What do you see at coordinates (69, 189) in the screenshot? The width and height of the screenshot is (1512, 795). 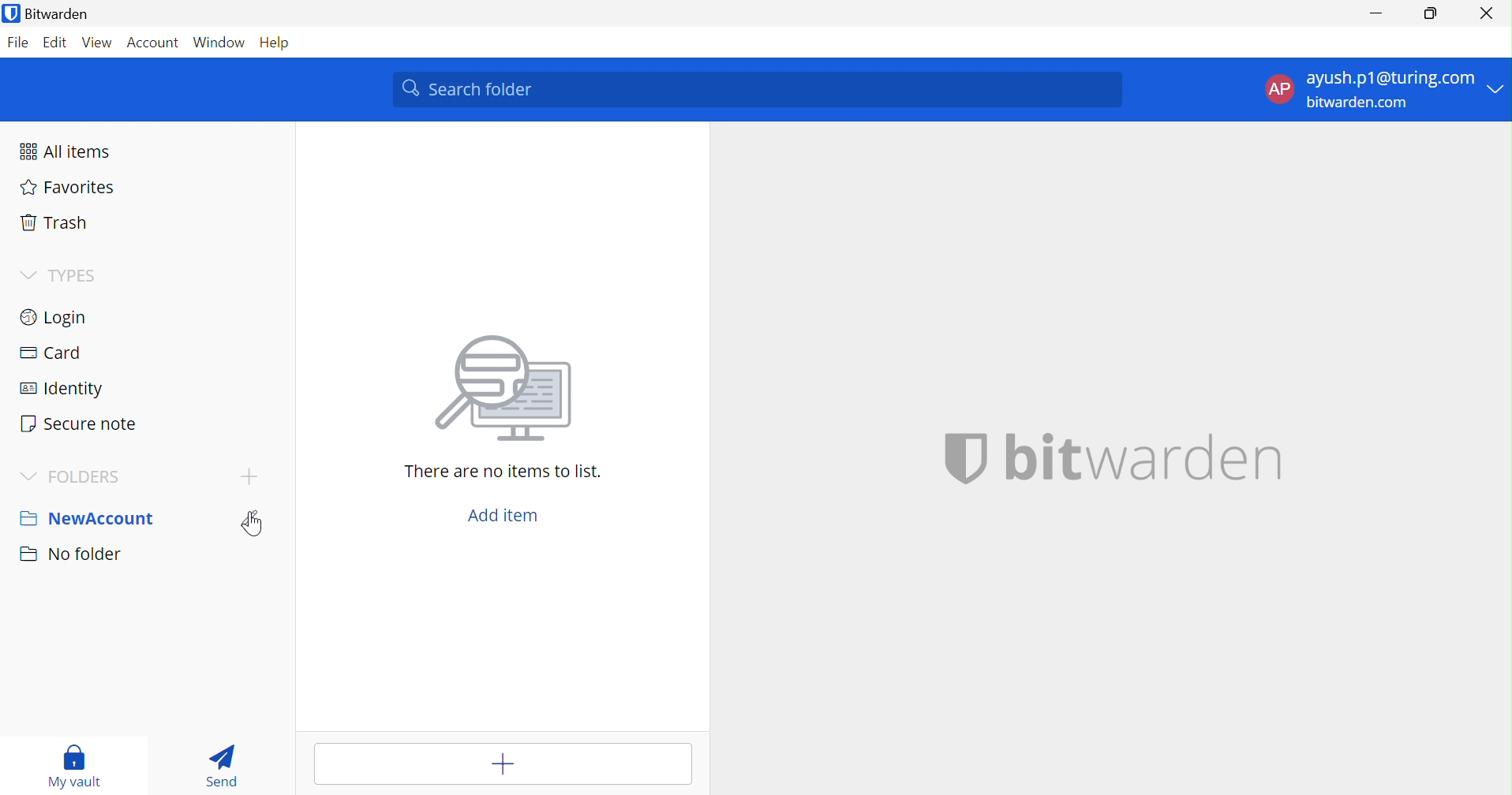 I see `Favorites` at bounding box center [69, 189].